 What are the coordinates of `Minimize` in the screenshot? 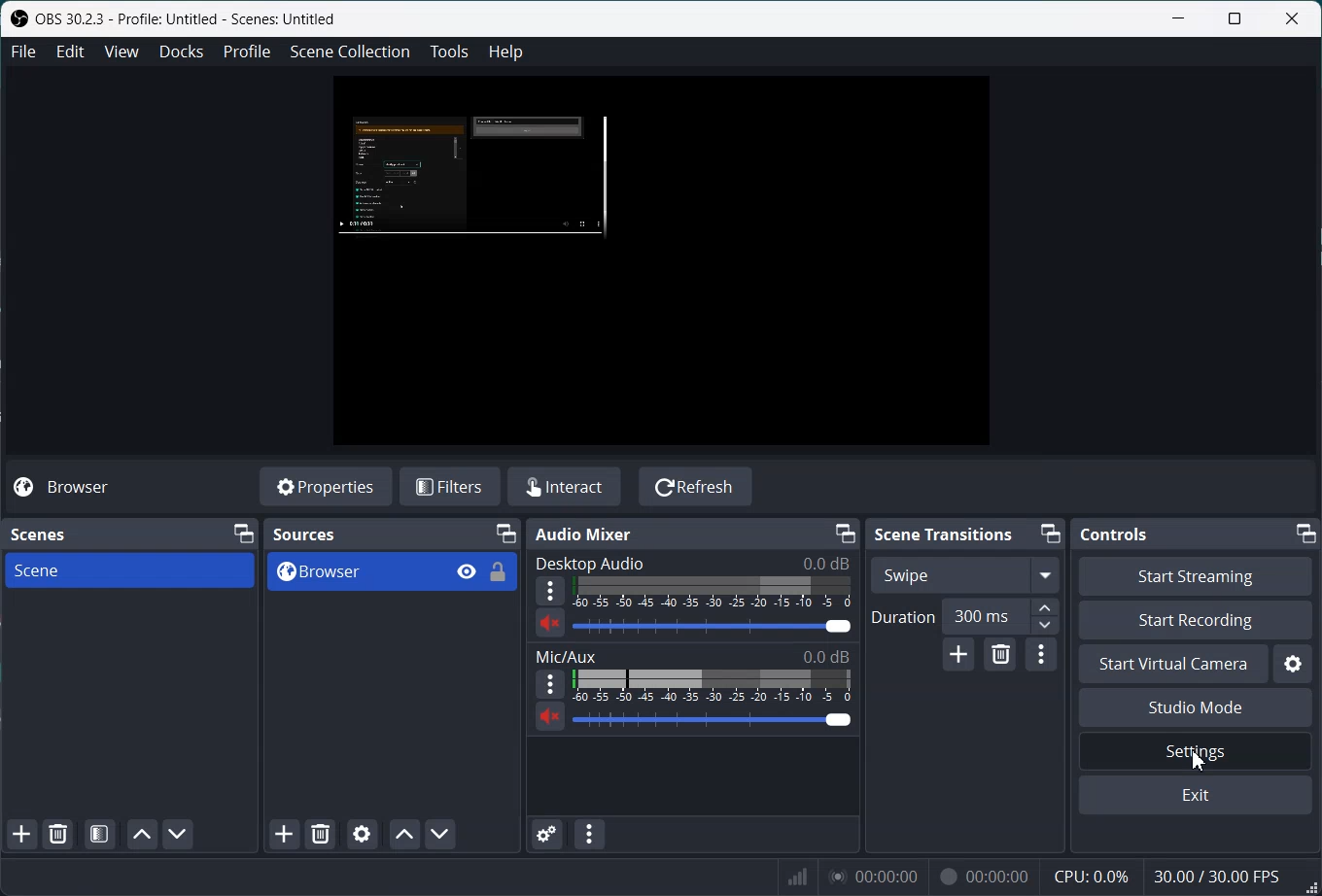 It's located at (845, 533).